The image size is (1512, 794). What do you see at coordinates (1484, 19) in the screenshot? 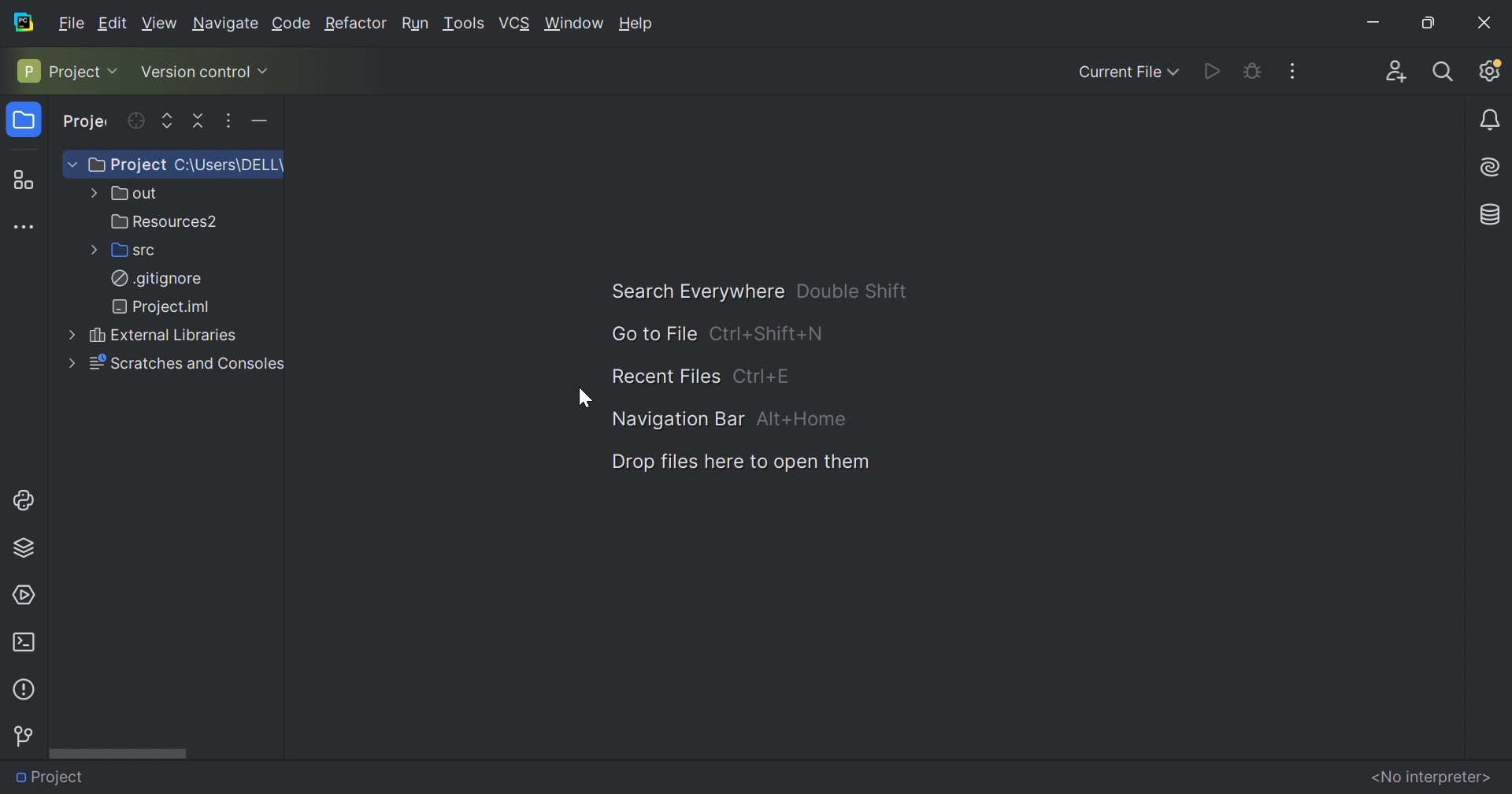
I see `Close` at bounding box center [1484, 19].